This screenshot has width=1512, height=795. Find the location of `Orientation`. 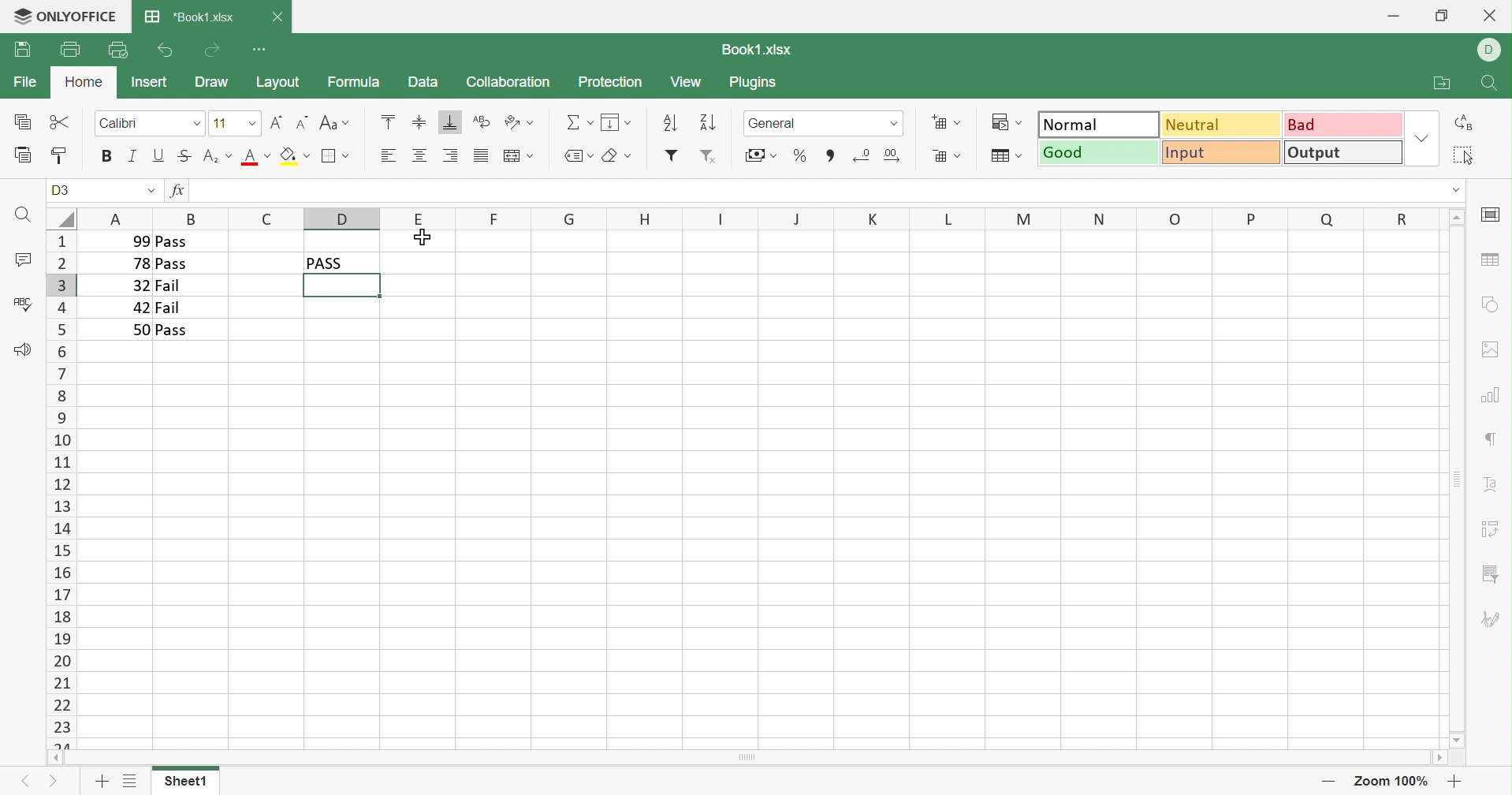

Orientation is located at coordinates (518, 123).